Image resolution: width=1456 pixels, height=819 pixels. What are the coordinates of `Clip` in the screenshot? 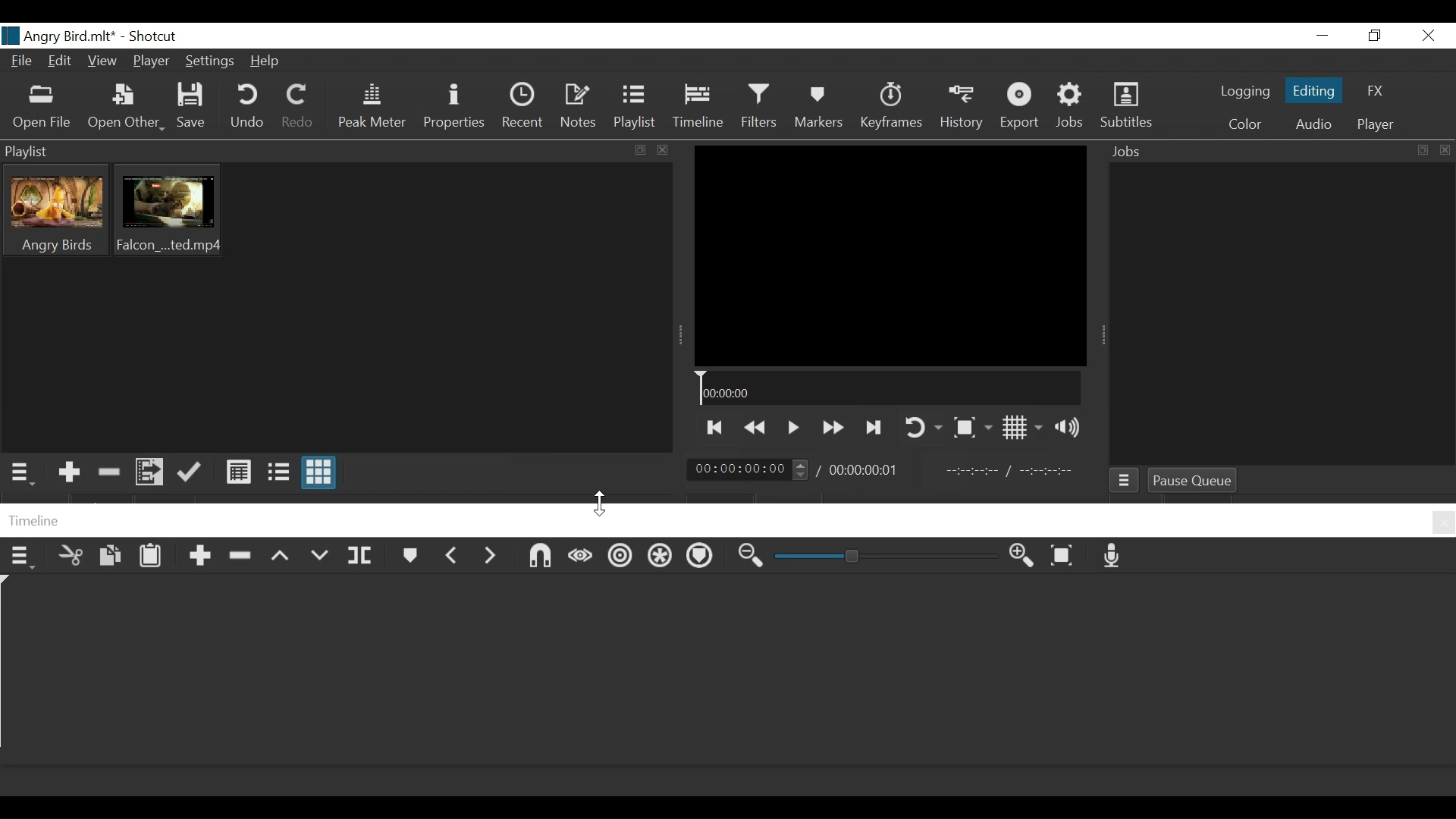 It's located at (56, 210).